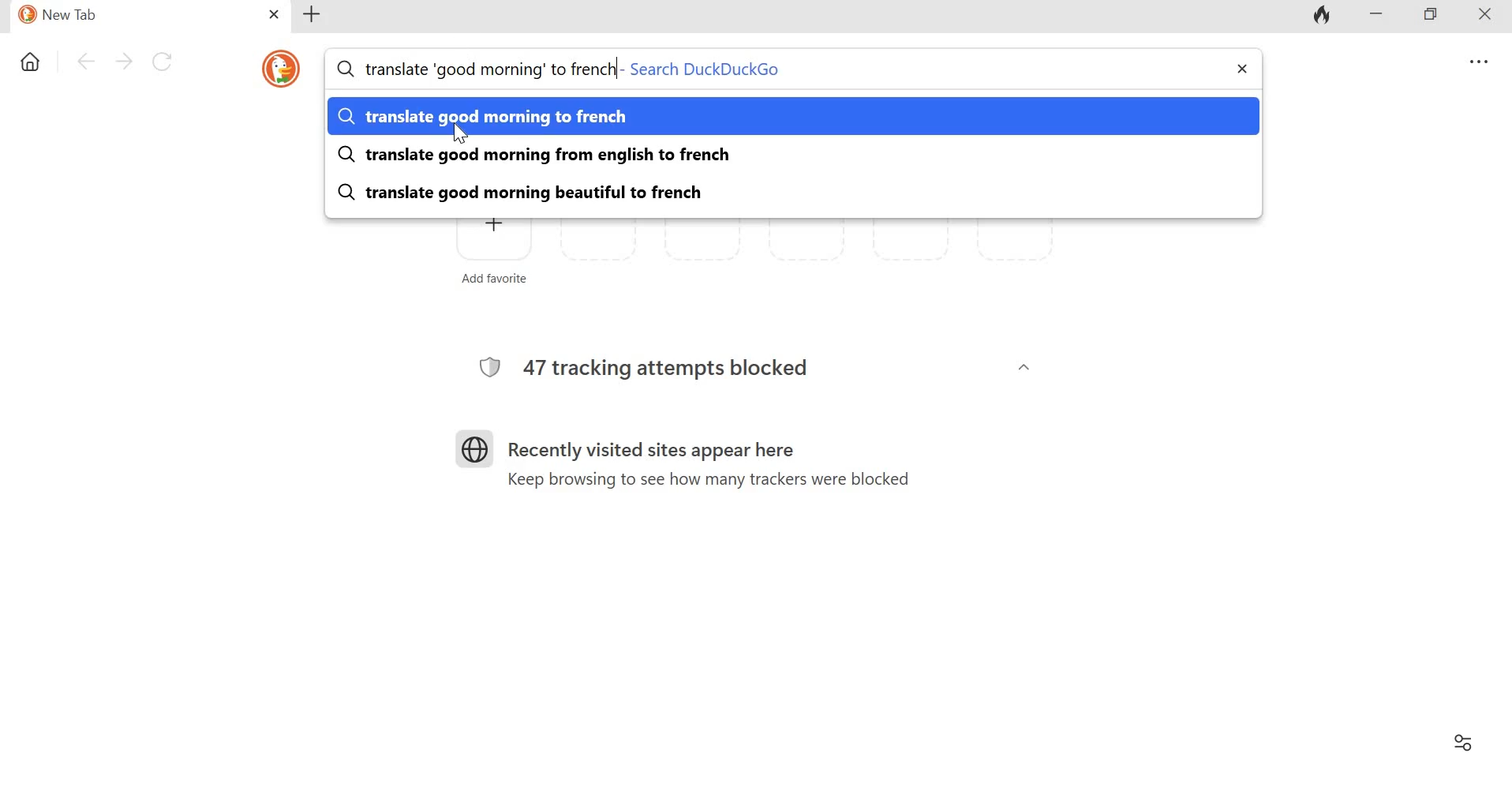 The image size is (1512, 791). What do you see at coordinates (545, 189) in the screenshot?
I see `translate good morning beautiful to french` at bounding box center [545, 189].